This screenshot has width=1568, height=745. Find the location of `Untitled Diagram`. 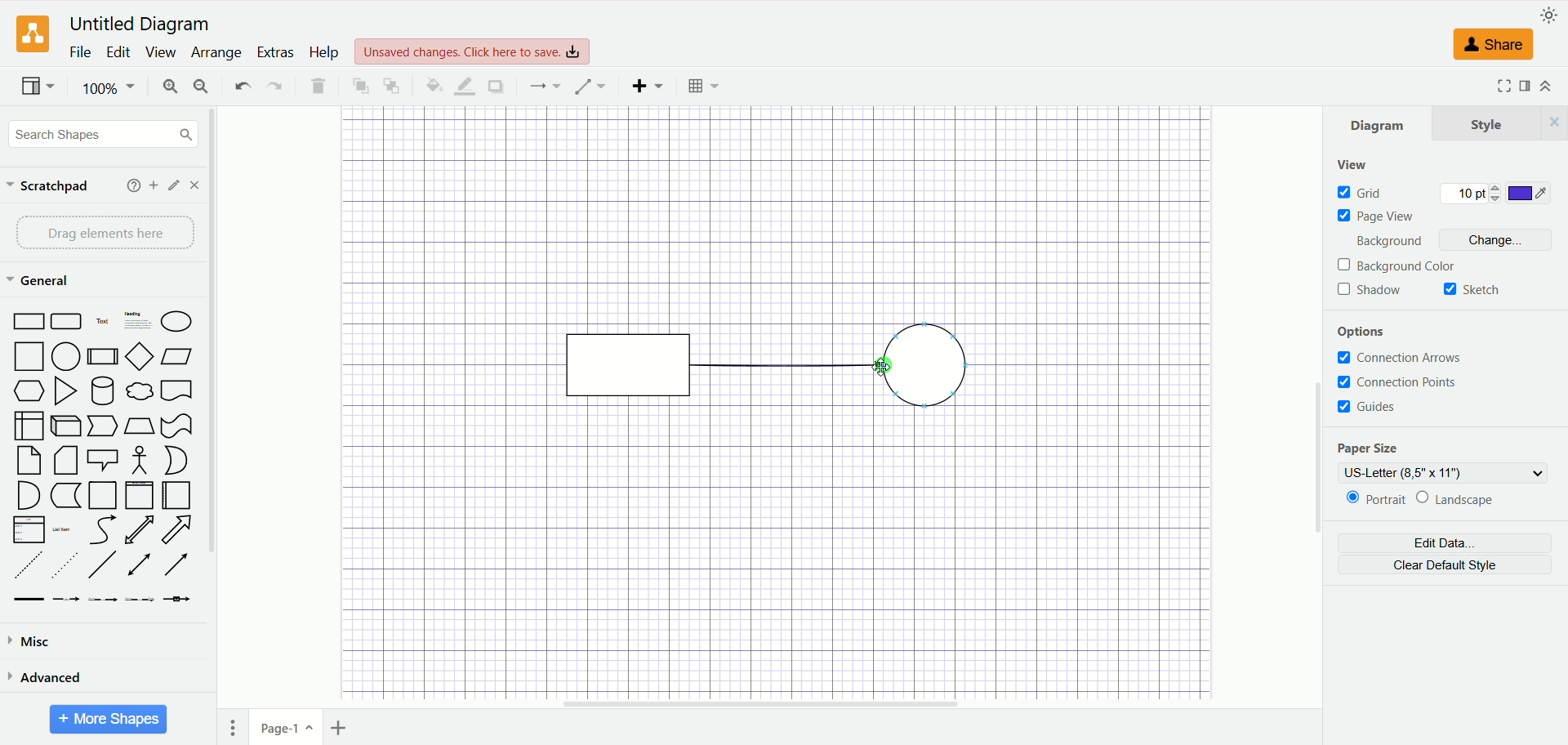

Untitled Diagram is located at coordinates (140, 25).